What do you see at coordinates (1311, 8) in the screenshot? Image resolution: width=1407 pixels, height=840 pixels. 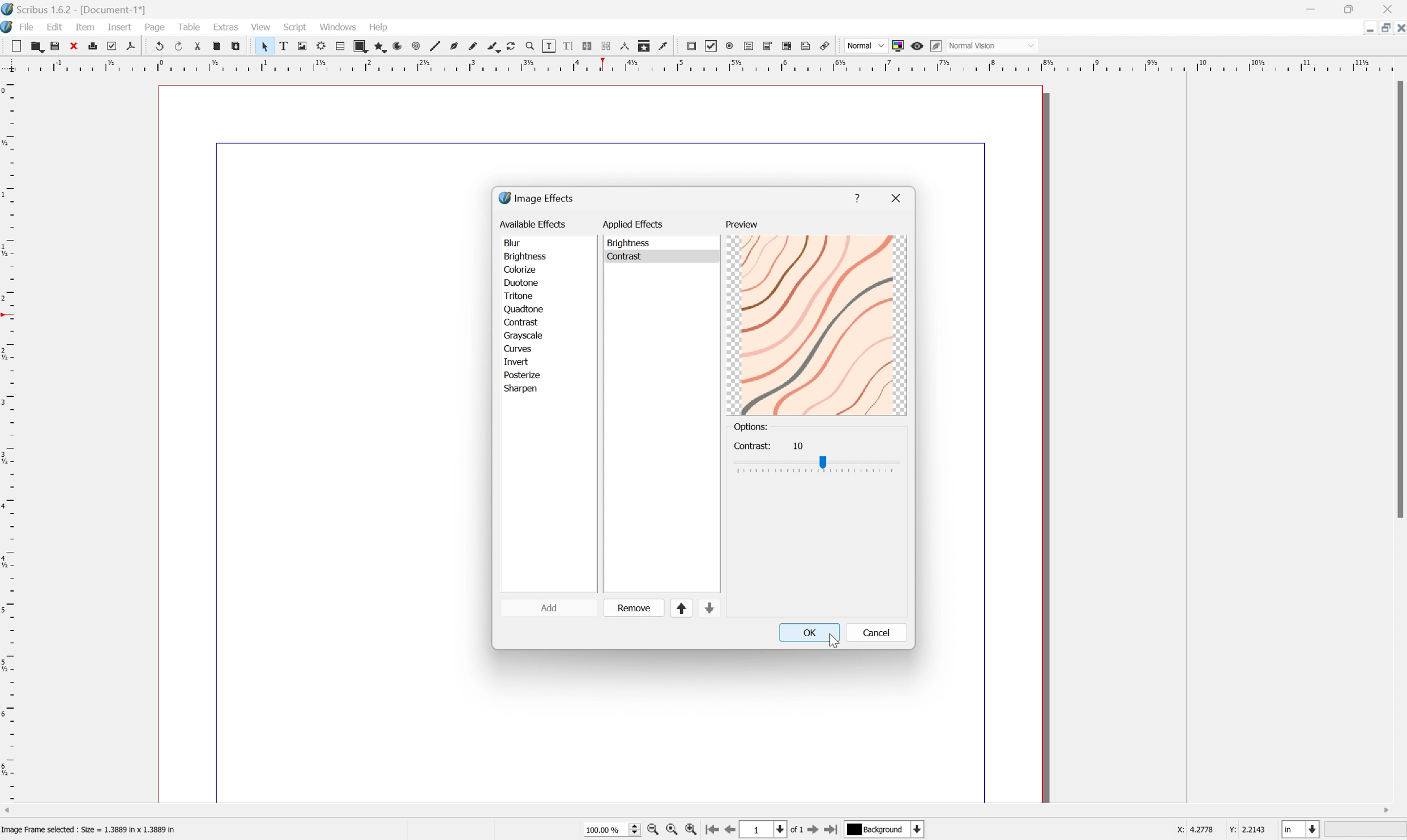 I see `Minimize` at bounding box center [1311, 8].